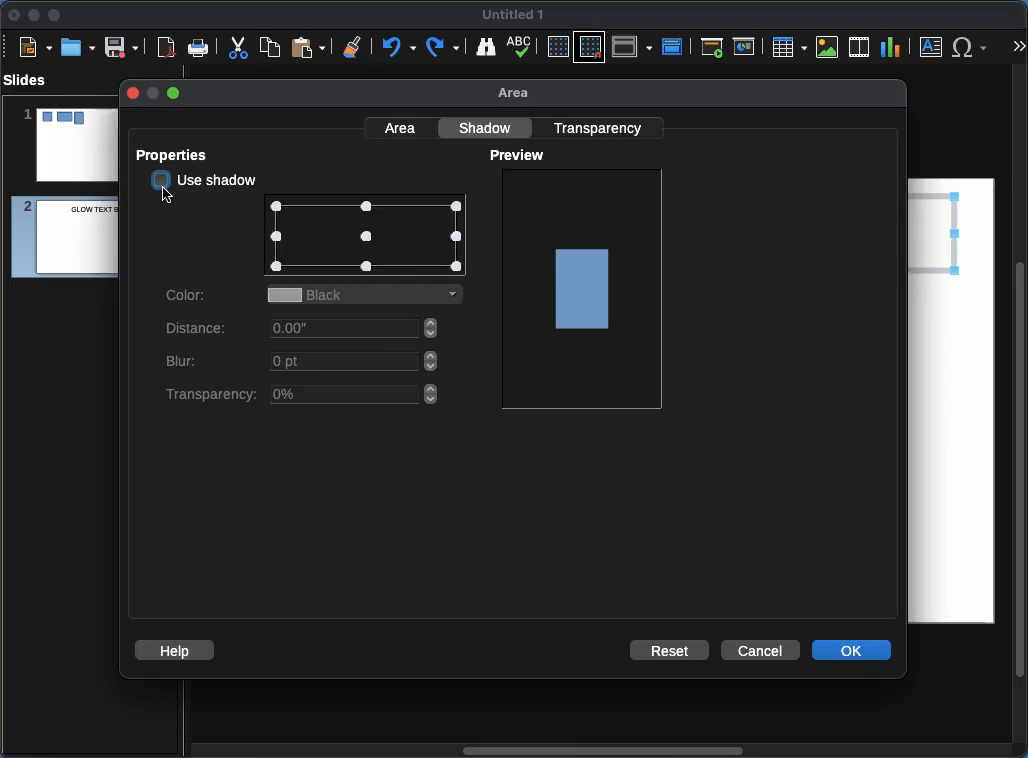 This screenshot has width=1028, height=758. I want to click on Textbox, so click(932, 46).